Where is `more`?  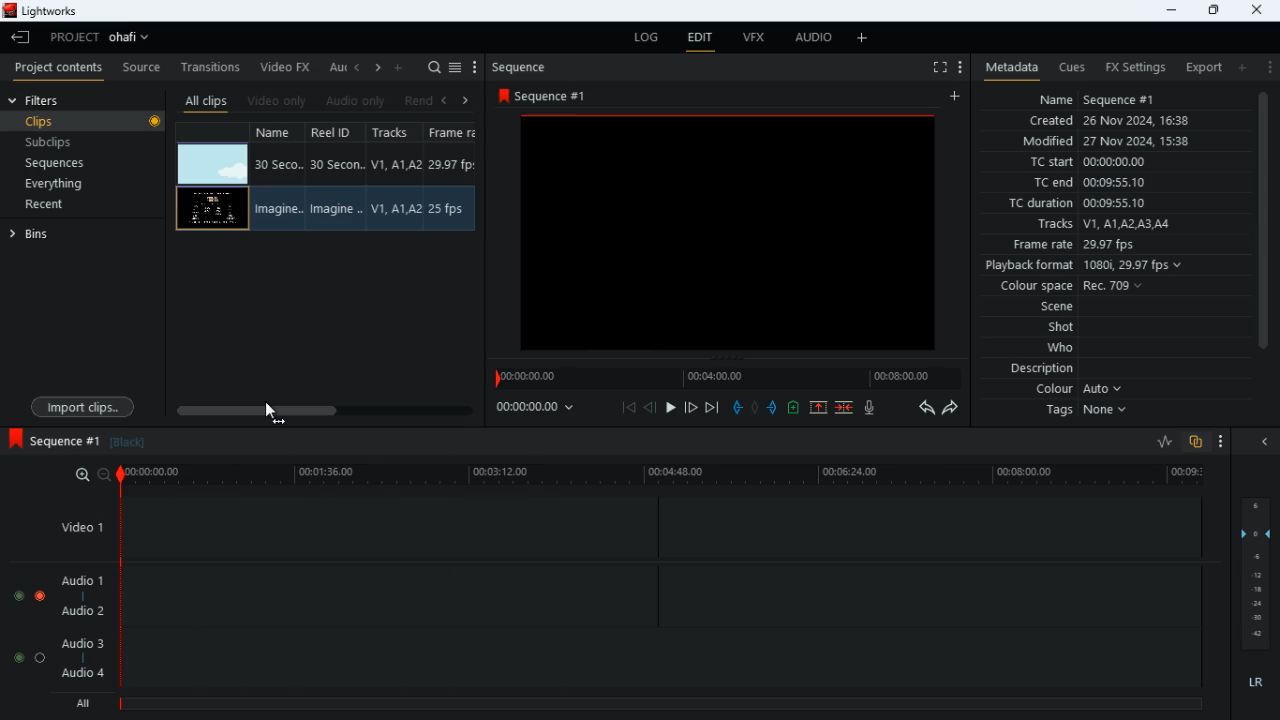 more is located at coordinates (478, 66).